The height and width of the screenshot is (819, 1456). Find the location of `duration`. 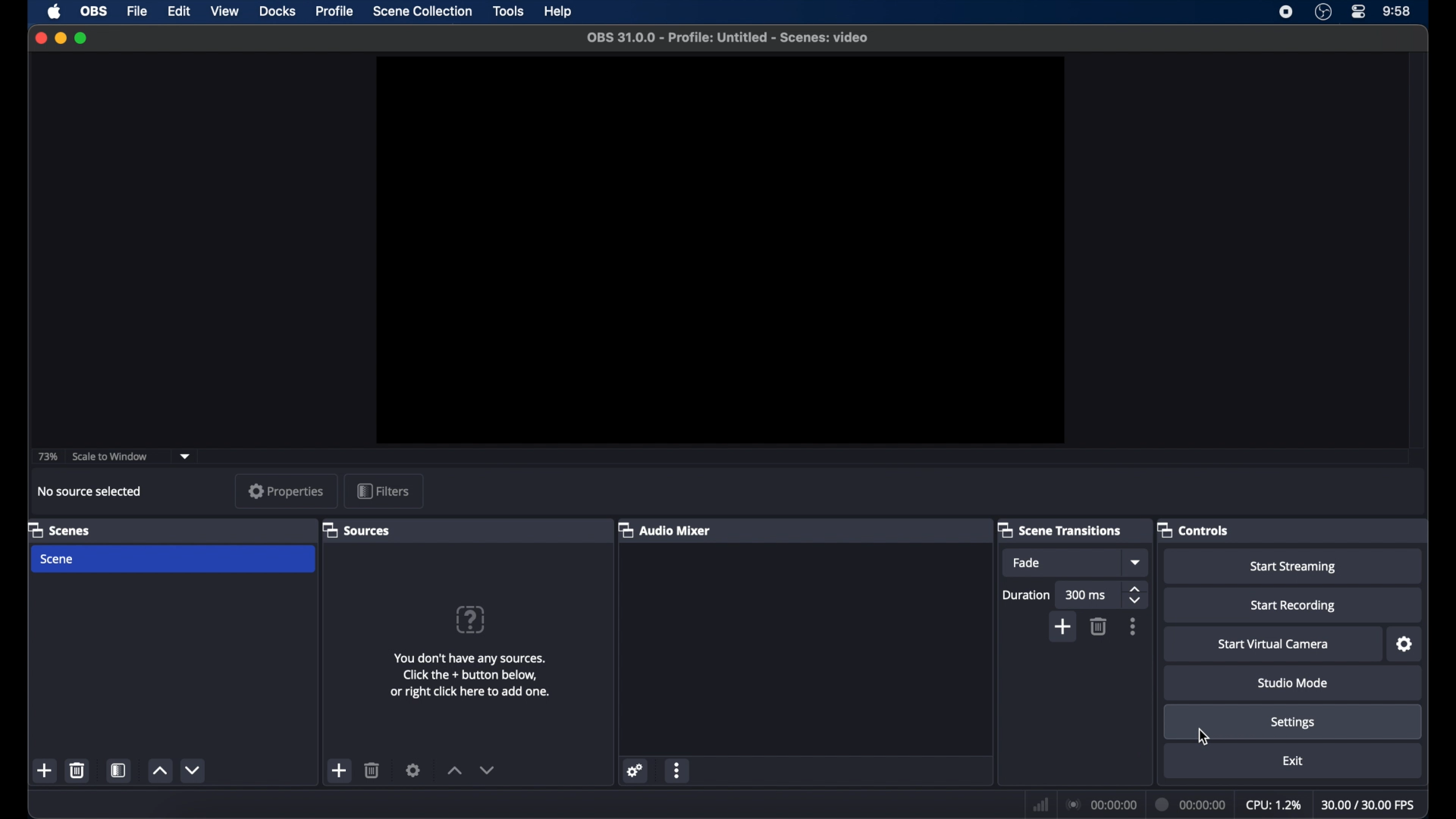

duration is located at coordinates (1191, 805).